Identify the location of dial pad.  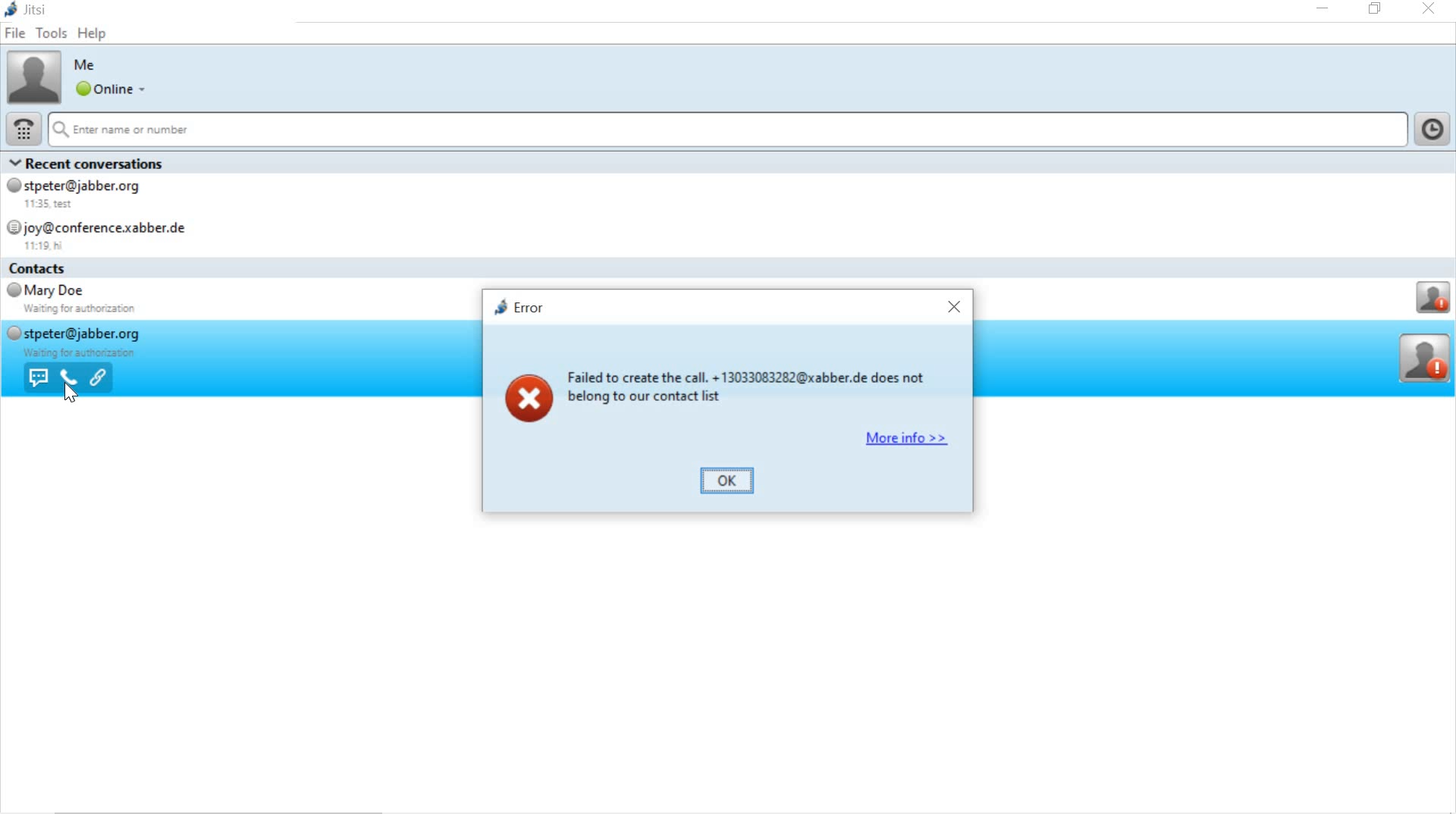
(24, 127).